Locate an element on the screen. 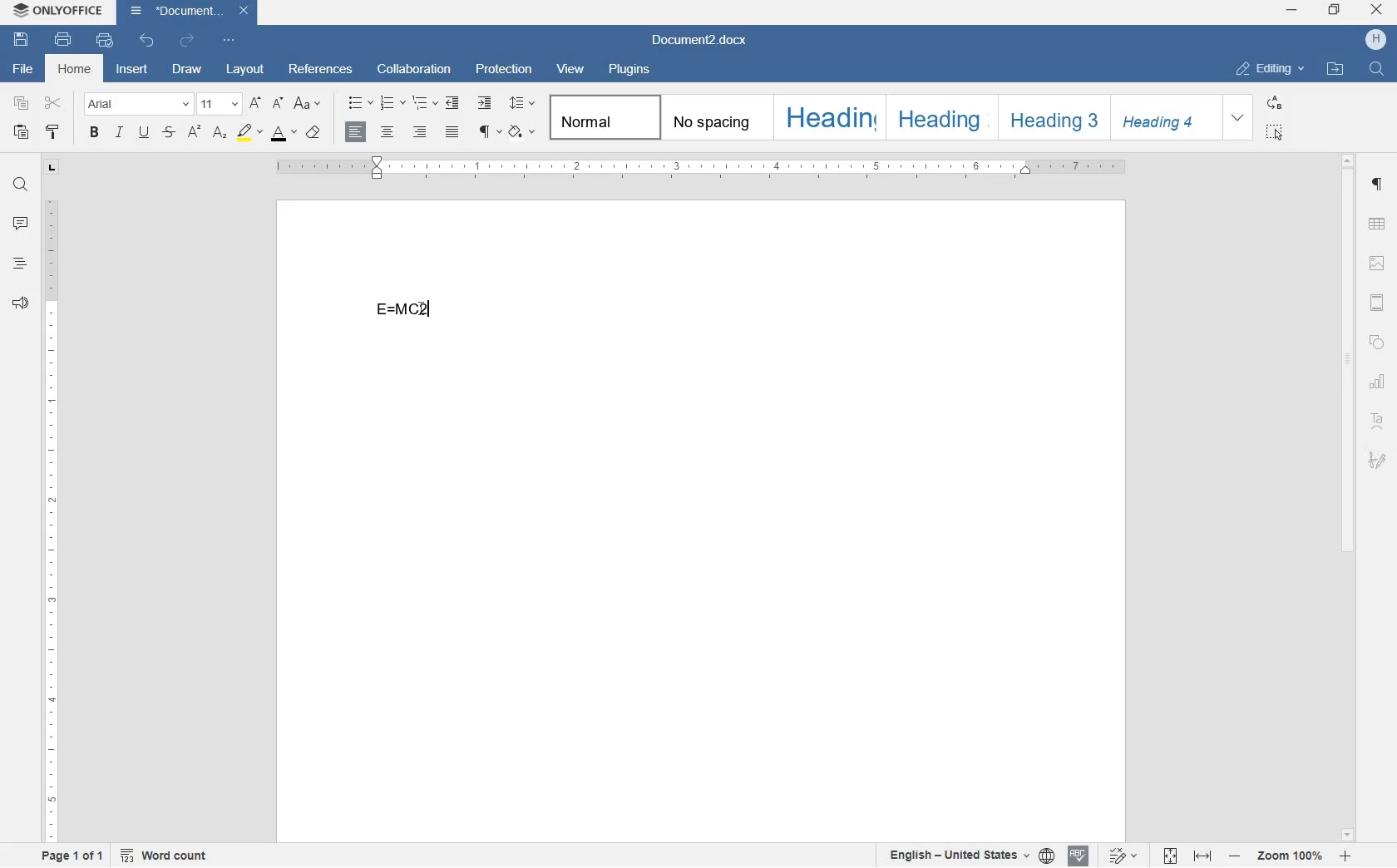 The image size is (1397, 868). view is located at coordinates (573, 69).